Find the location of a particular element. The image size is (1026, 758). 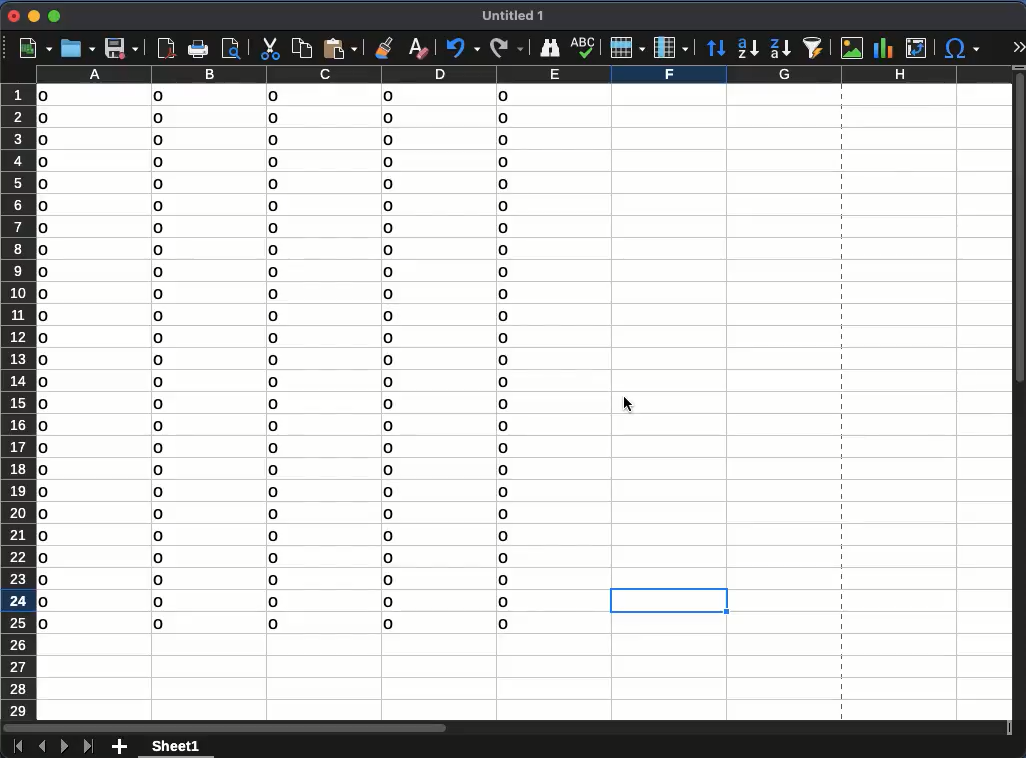

descending is located at coordinates (780, 48).